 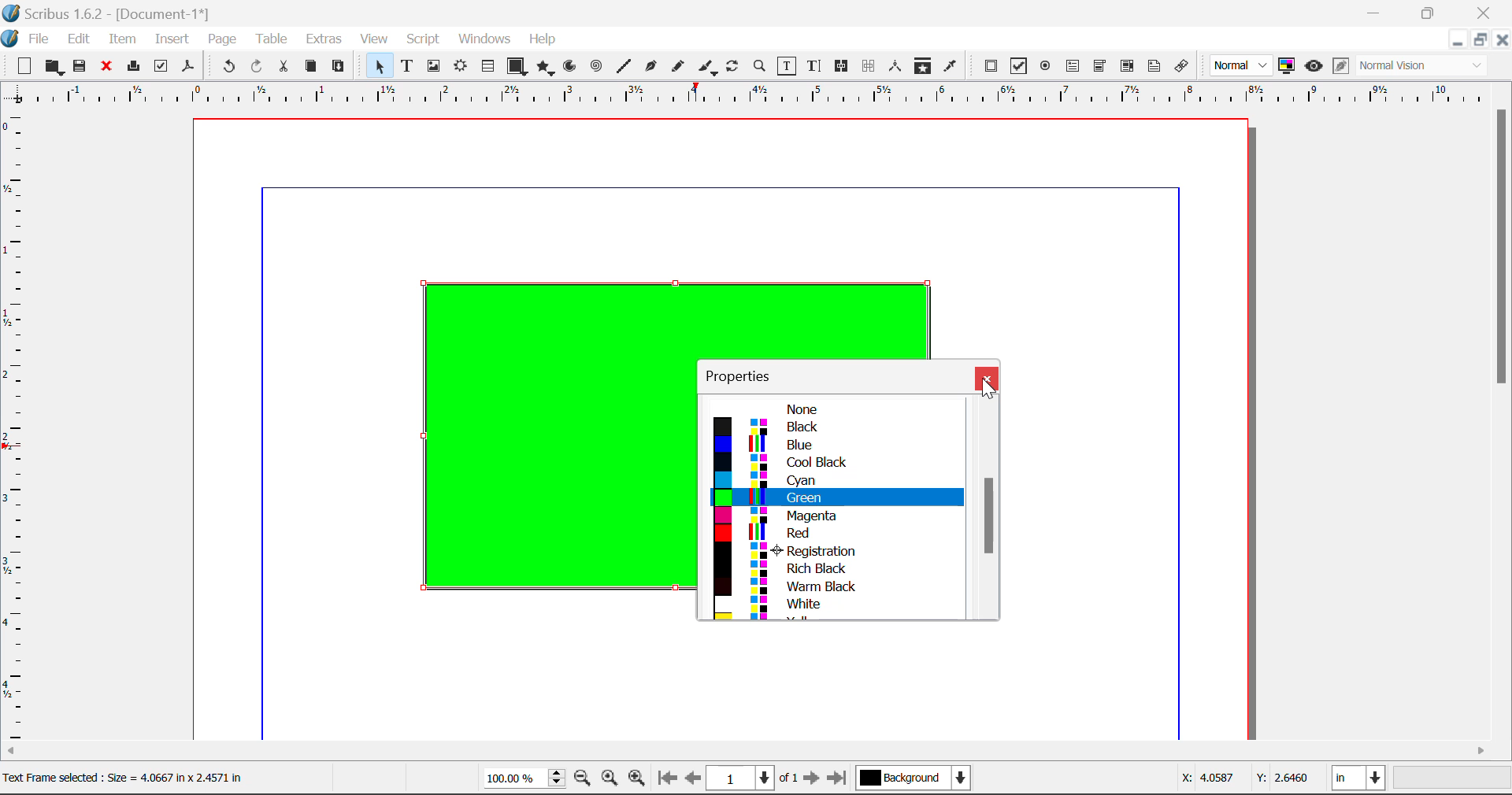 I want to click on Scroll Bar, so click(x=757, y=752).